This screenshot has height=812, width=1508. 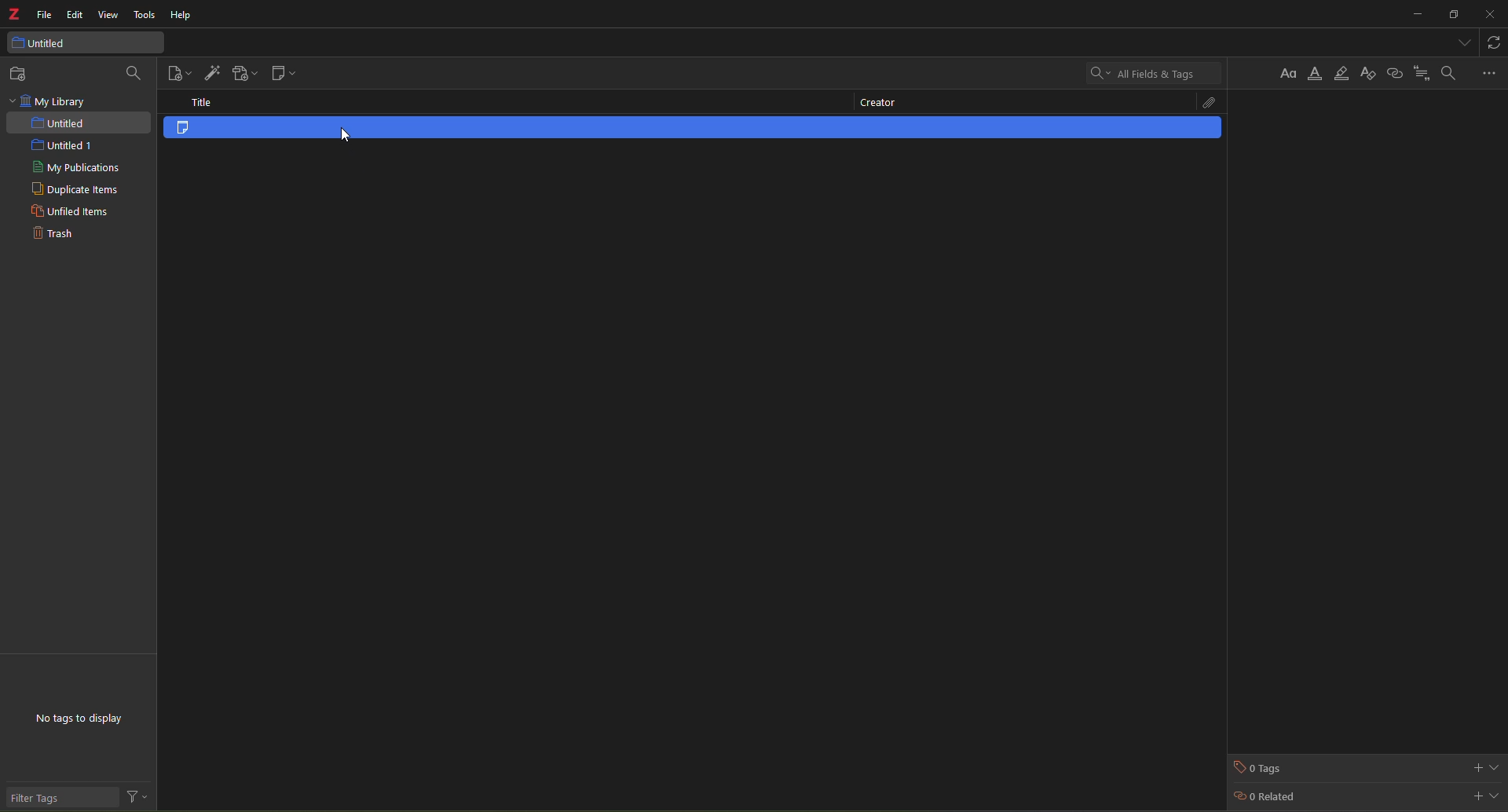 I want to click on tools, so click(x=146, y=16).